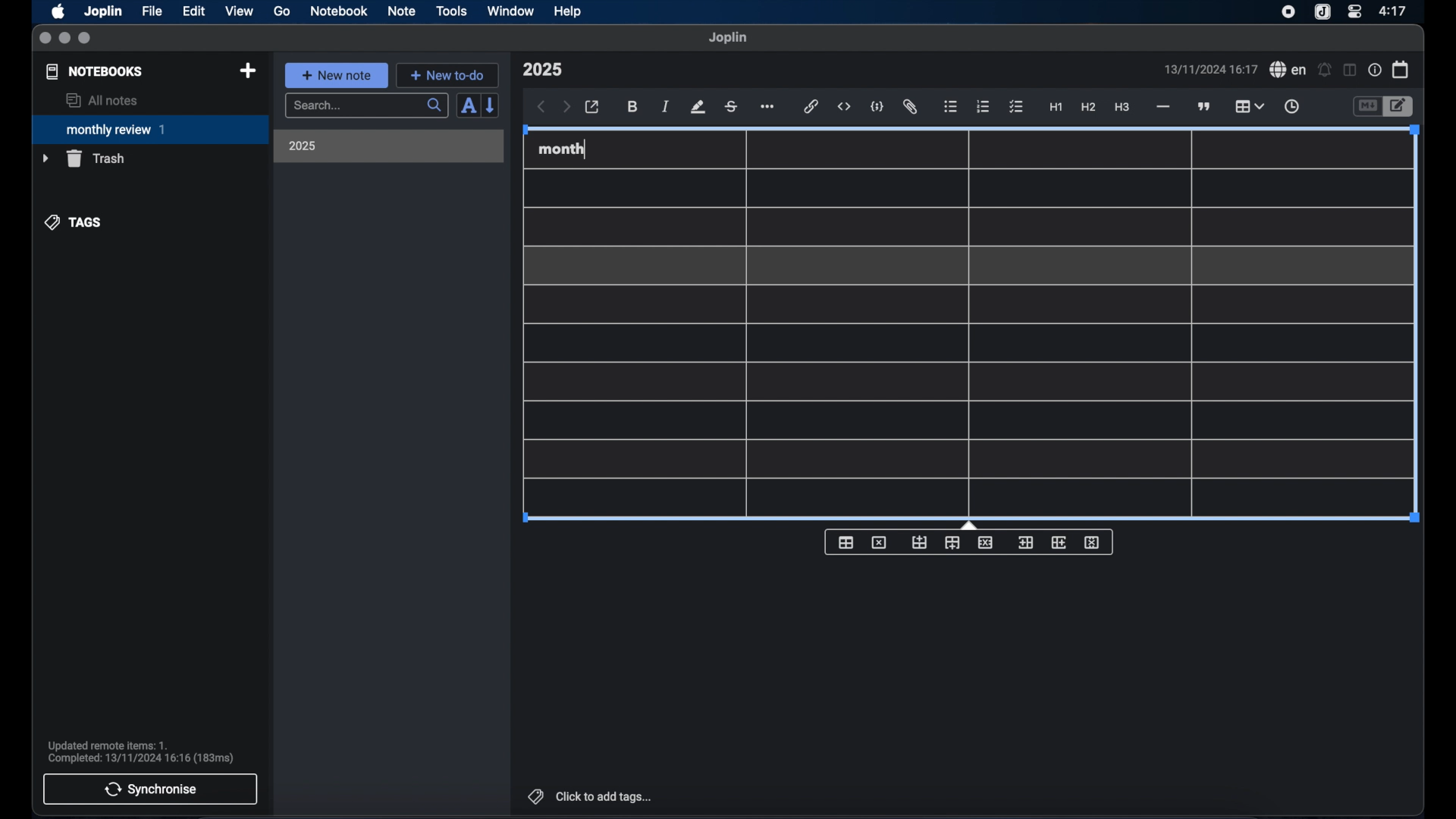  Describe the element at coordinates (541, 107) in the screenshot. I see `back` at that location.